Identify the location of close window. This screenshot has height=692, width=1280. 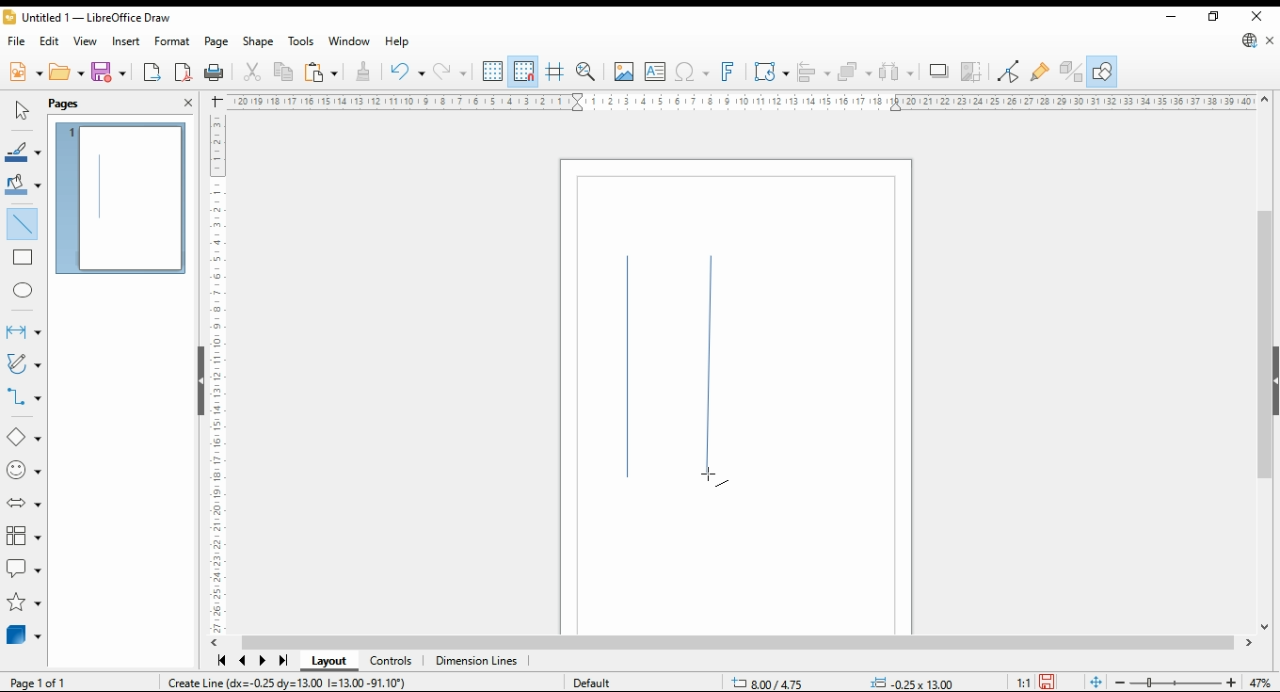
(1254, 17).